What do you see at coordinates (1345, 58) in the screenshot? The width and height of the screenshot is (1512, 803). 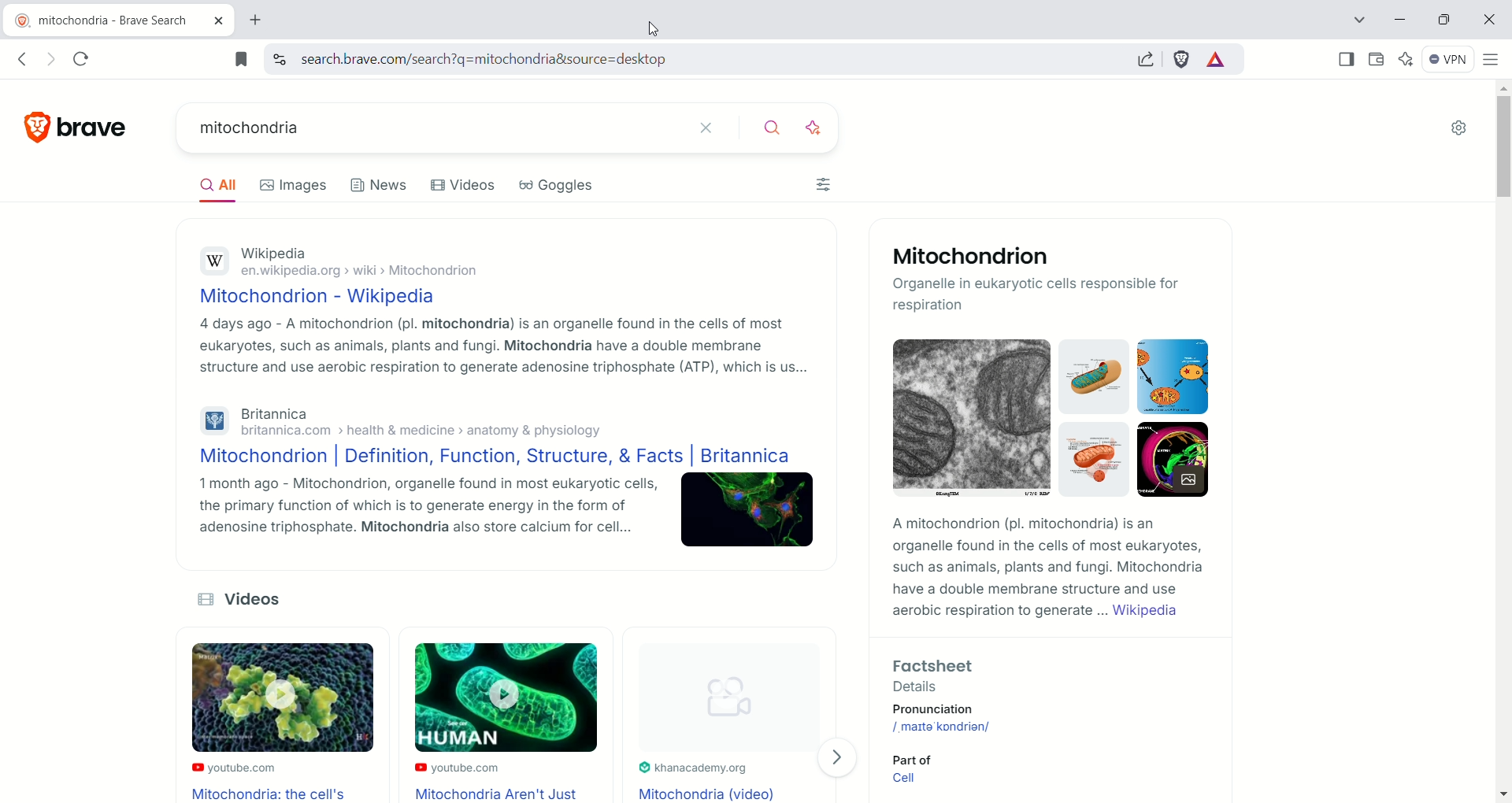 I see `show sidebar` at bounding box center [1345, 58].